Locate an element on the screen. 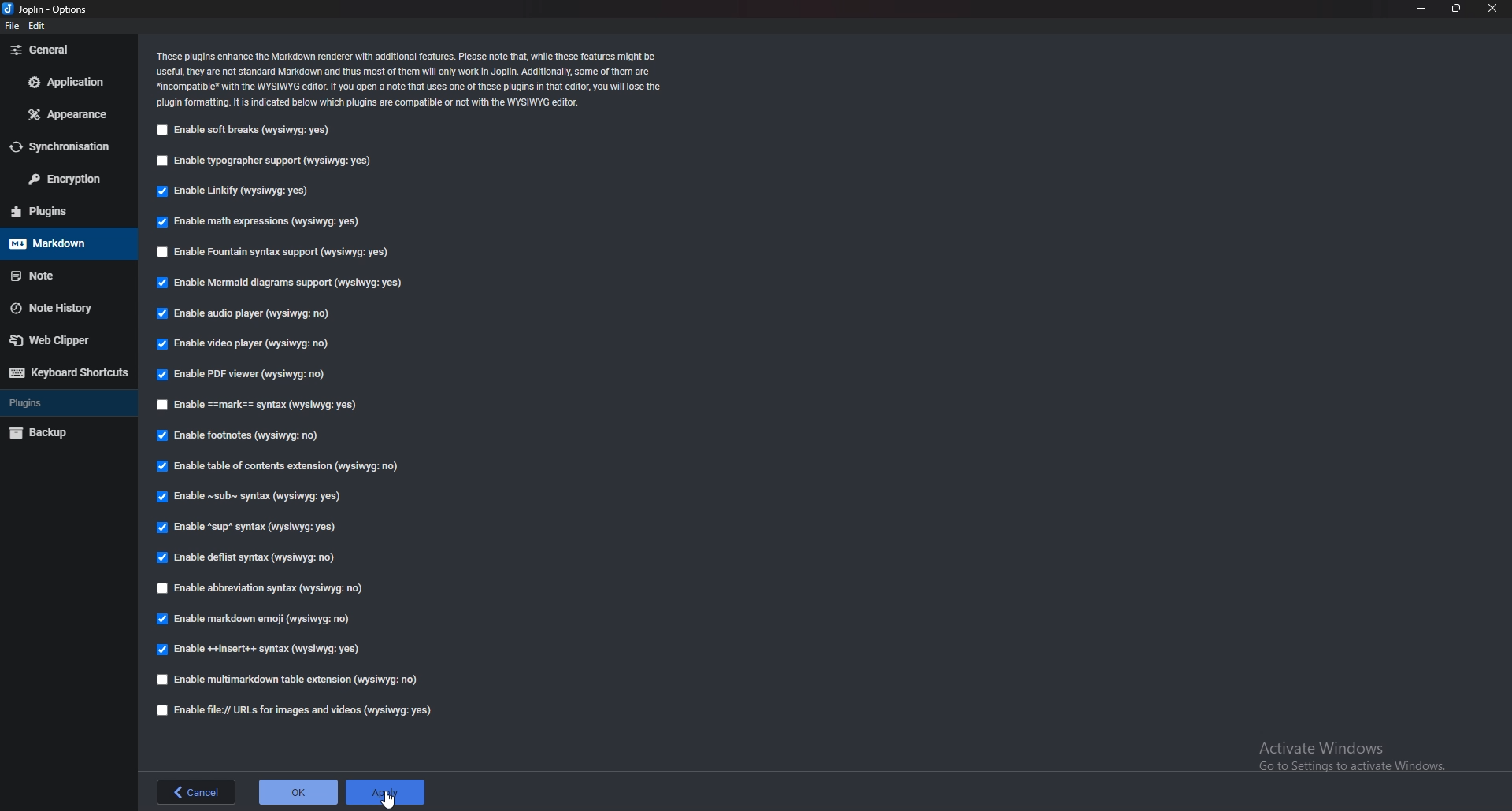 This screenshot has width=1512, height=811. Enable typographer support is located at coordinates (265, 161).